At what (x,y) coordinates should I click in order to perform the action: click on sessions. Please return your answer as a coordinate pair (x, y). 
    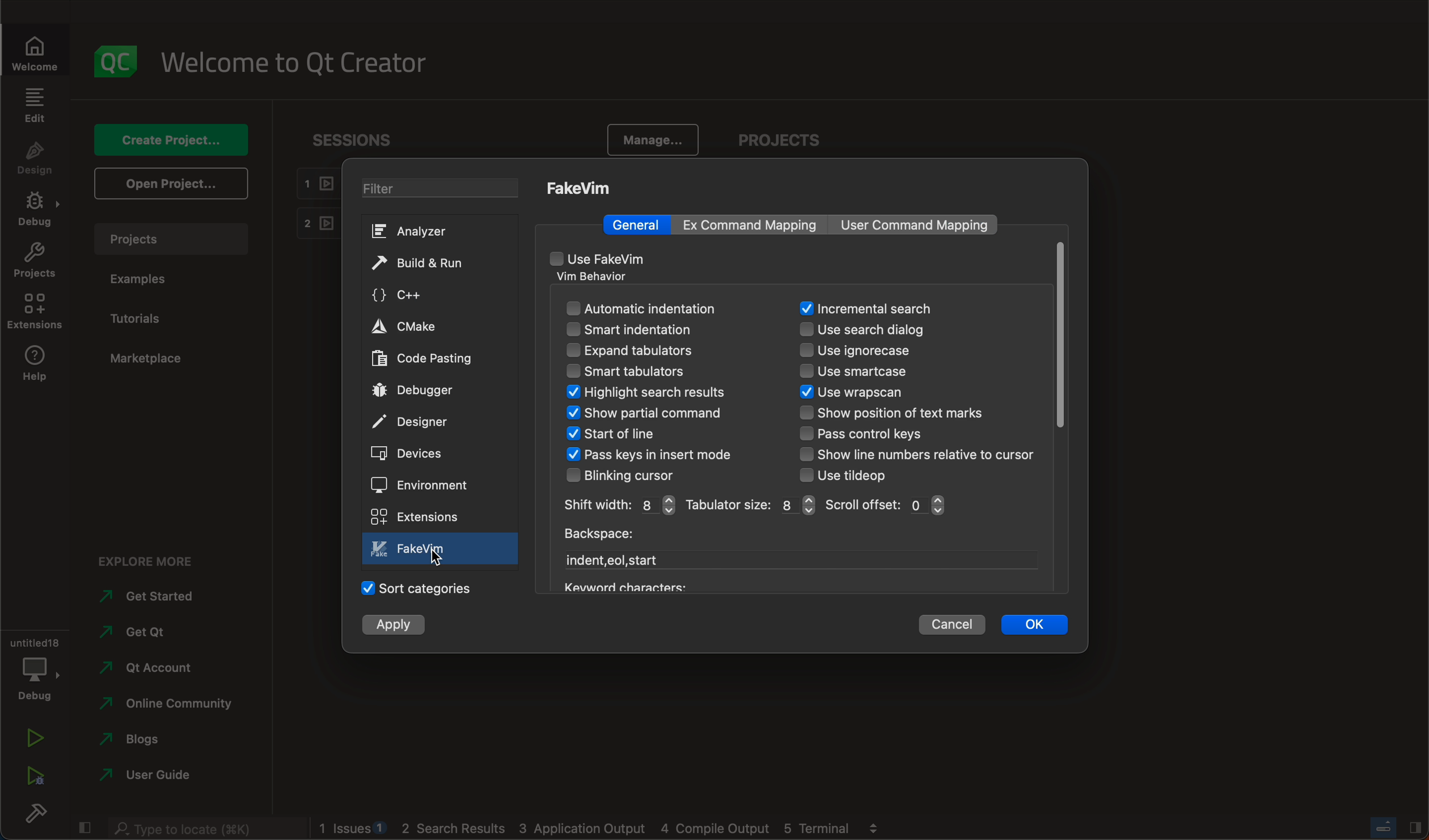
    Looking at the image, I should click on (357, 139).